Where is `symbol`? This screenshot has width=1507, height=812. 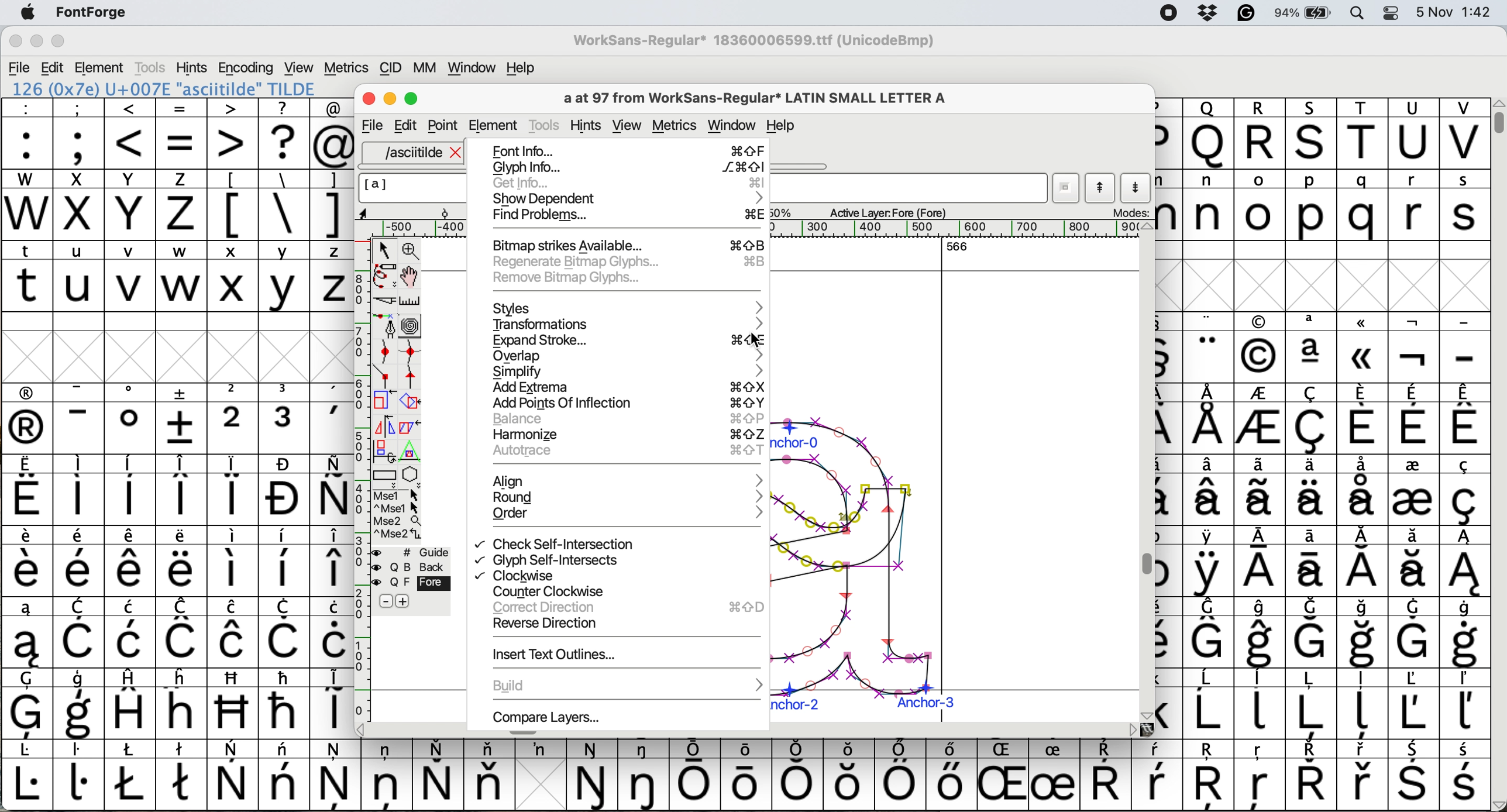 symbol is located at coordinates (1414, 632).